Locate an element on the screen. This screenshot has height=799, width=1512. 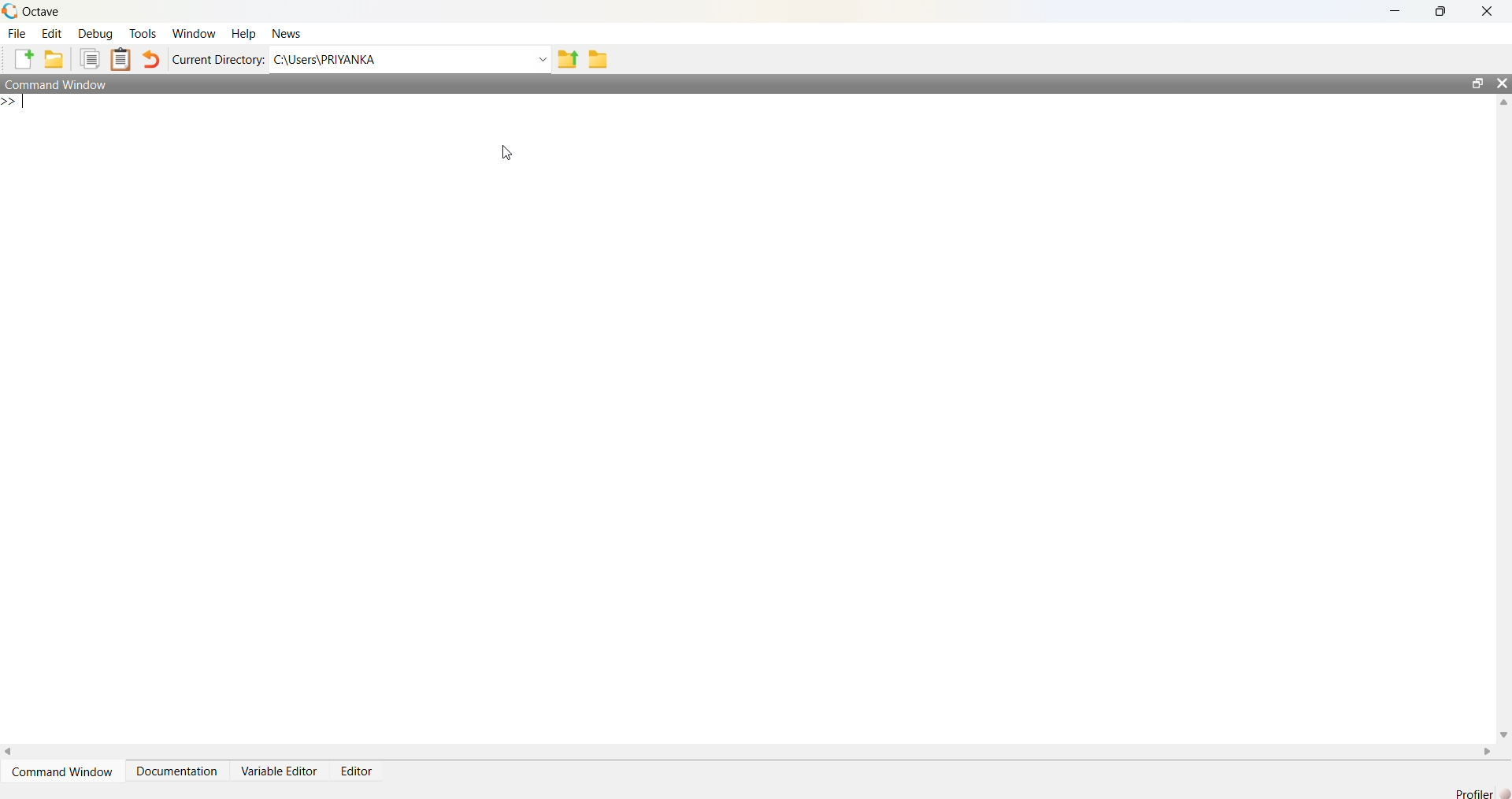
File is located at coordinates (18, 33).